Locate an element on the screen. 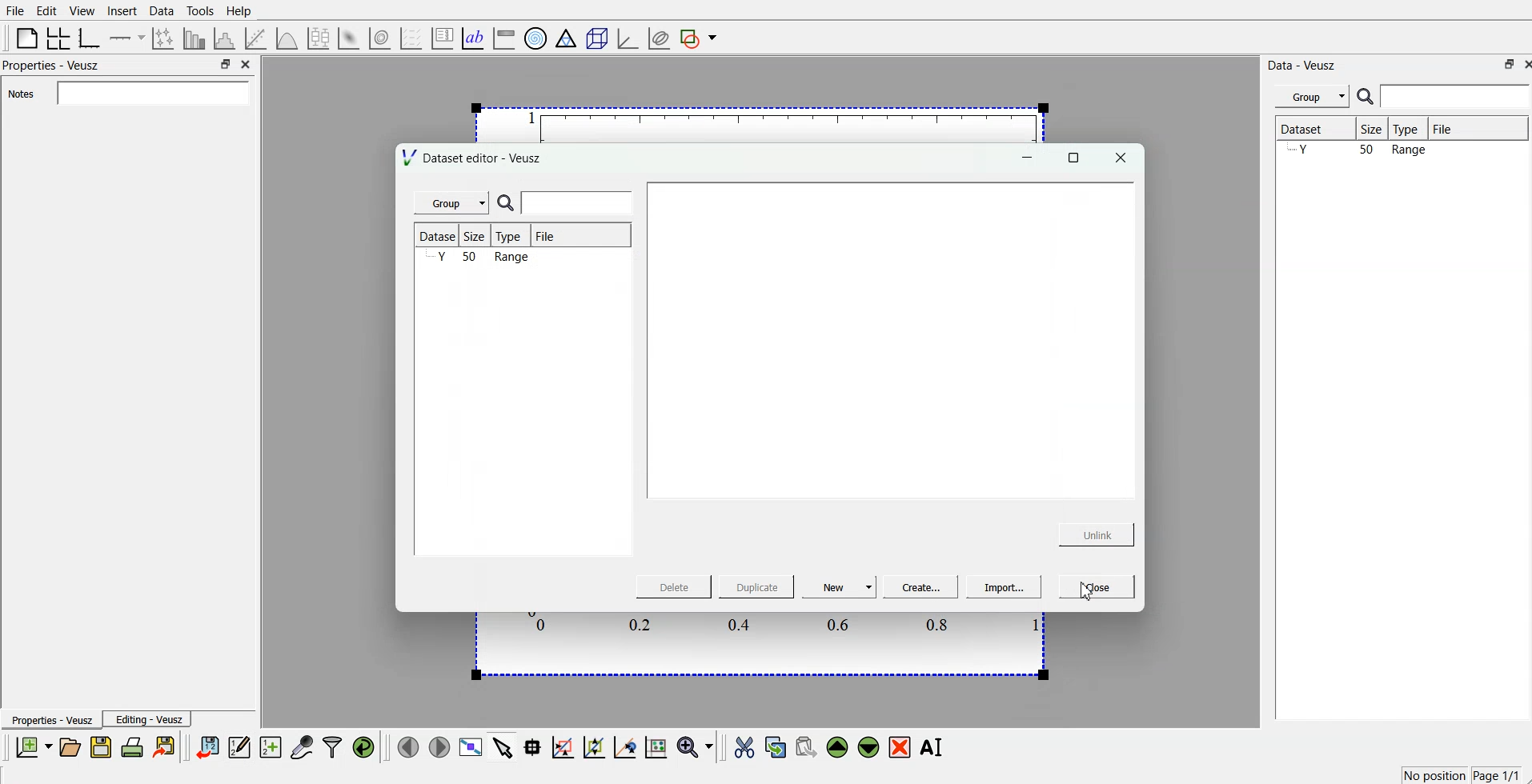 The height and width of the screenshot is (784, 1532). File is located at coordinates (562, 236).